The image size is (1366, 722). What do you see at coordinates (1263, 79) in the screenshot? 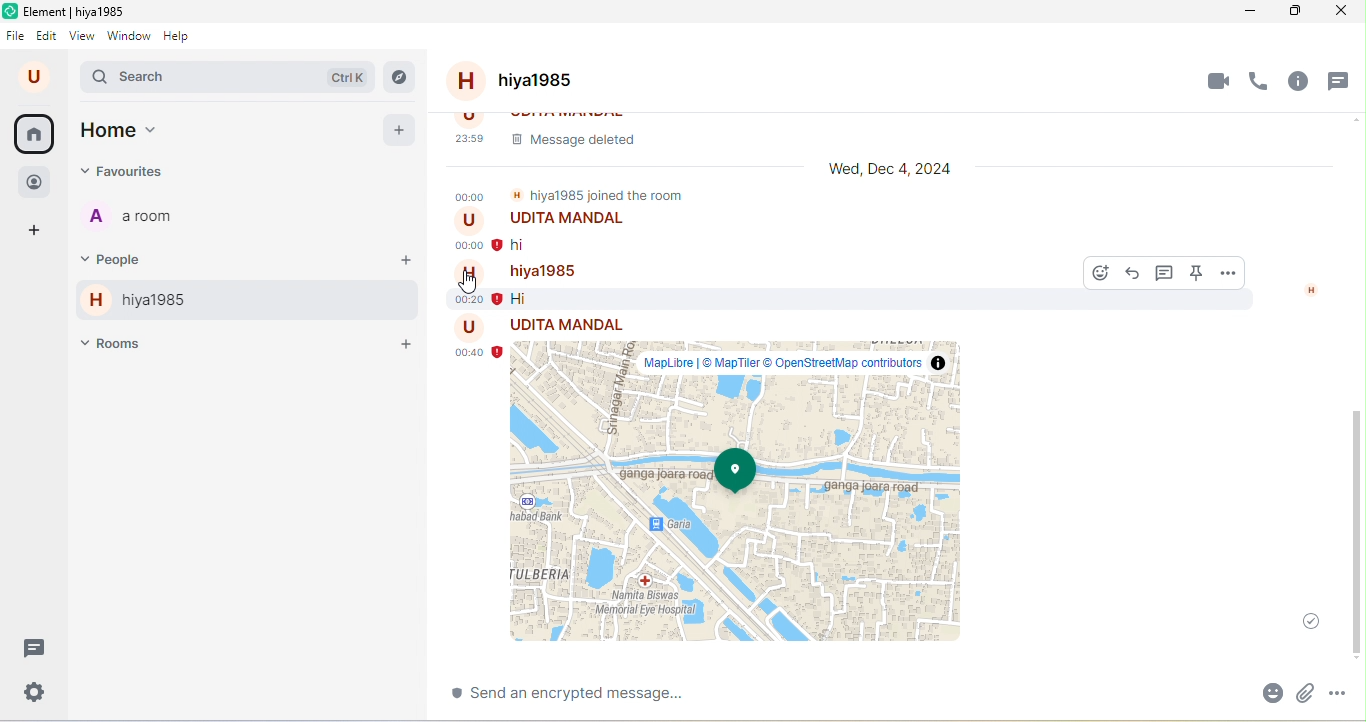
I see `audio call` at bounding box center [1263, 79].